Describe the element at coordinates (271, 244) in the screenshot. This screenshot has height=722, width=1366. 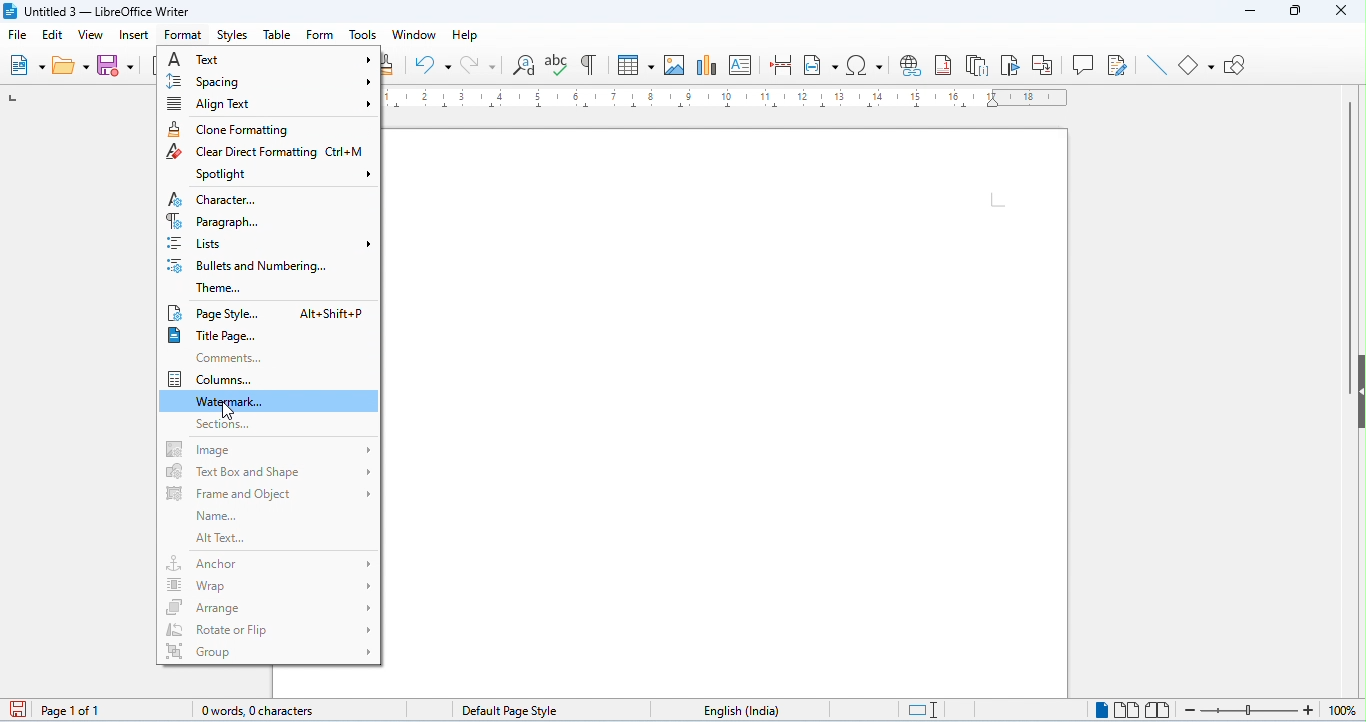
I see `list` at that location.